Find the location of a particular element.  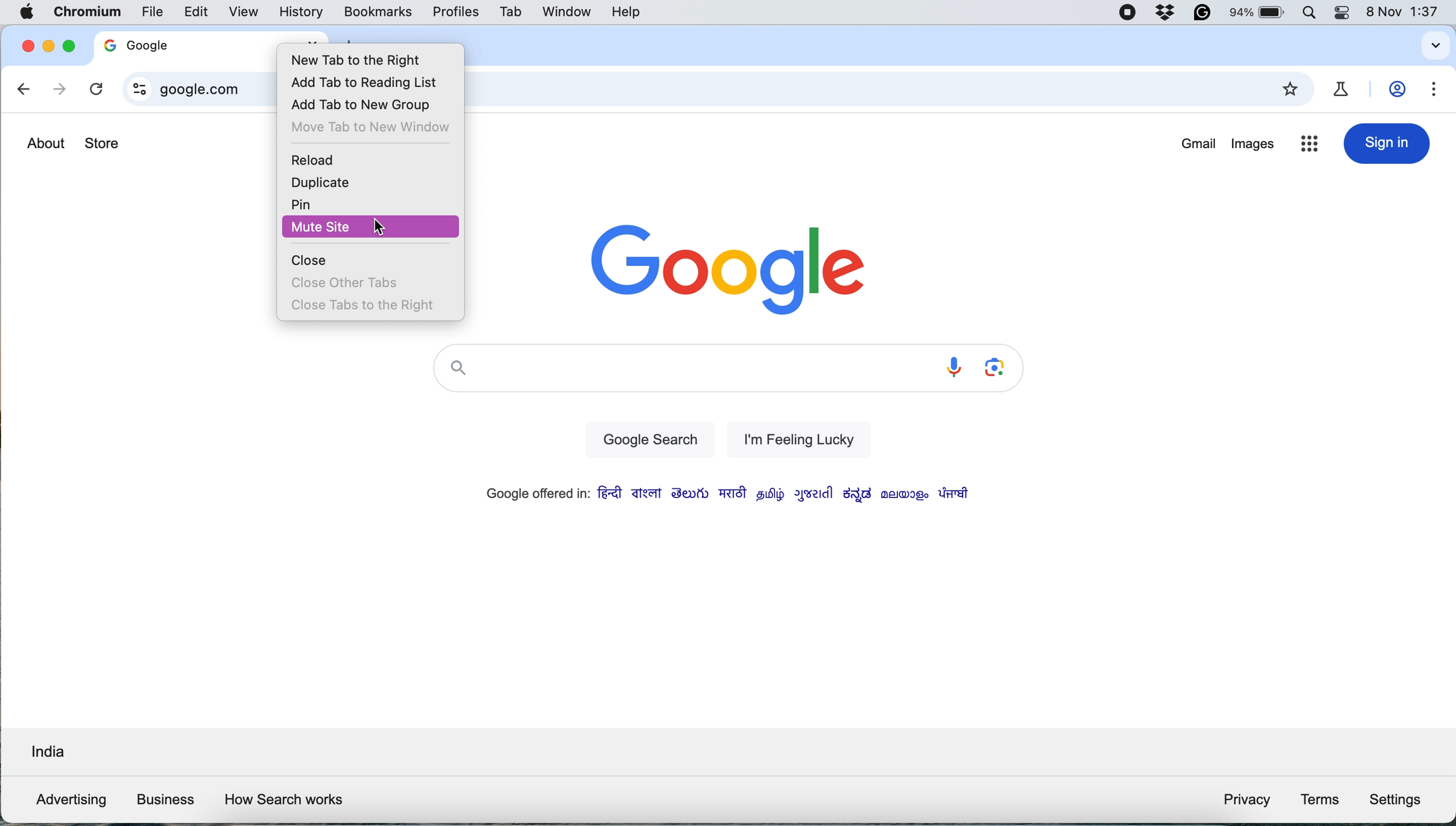

bookmark is located at coordinates (1293, 90).